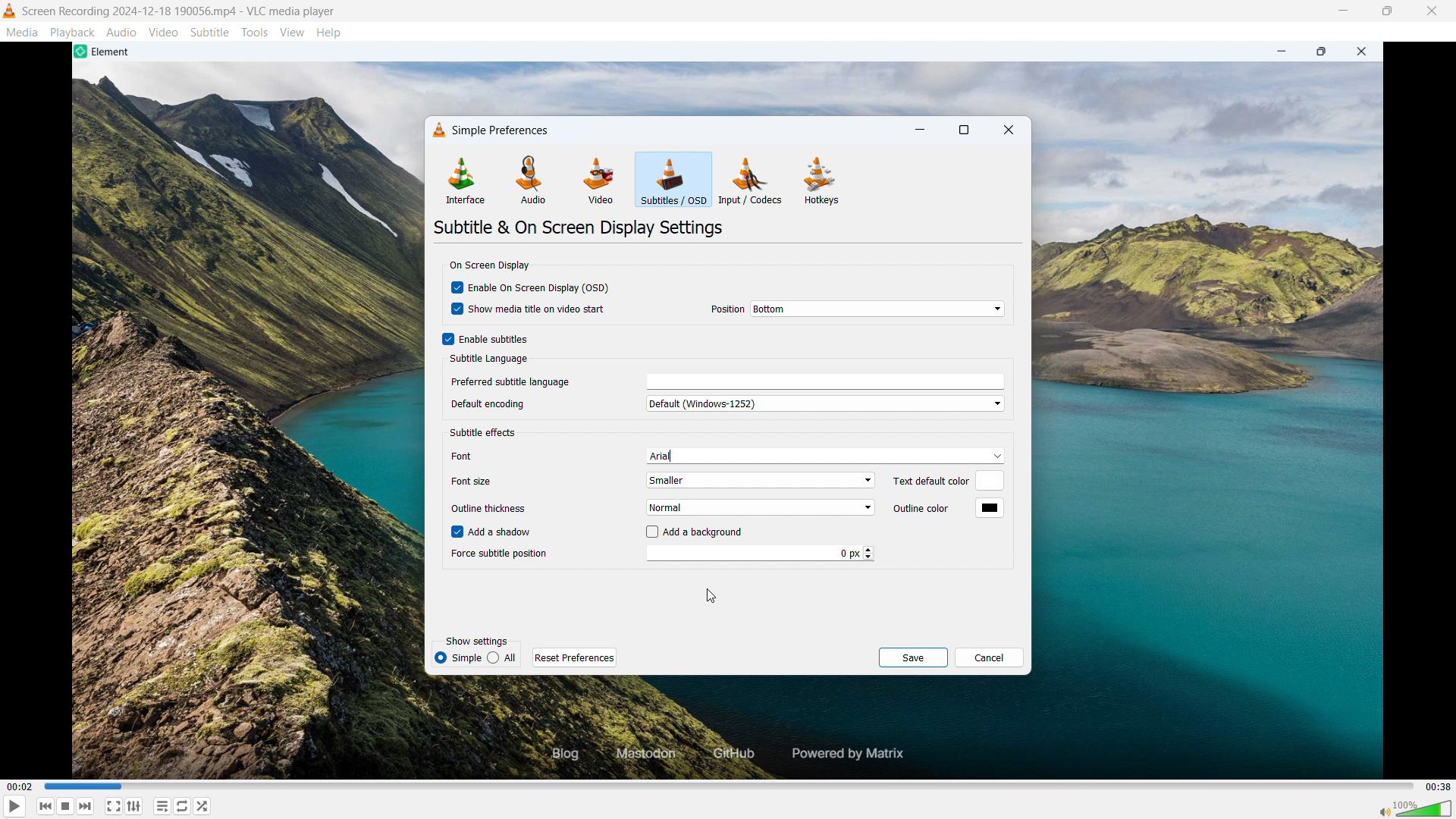  Describe the element at coordinates (712, 595) in the screenshot. I see `cursor` at that location.